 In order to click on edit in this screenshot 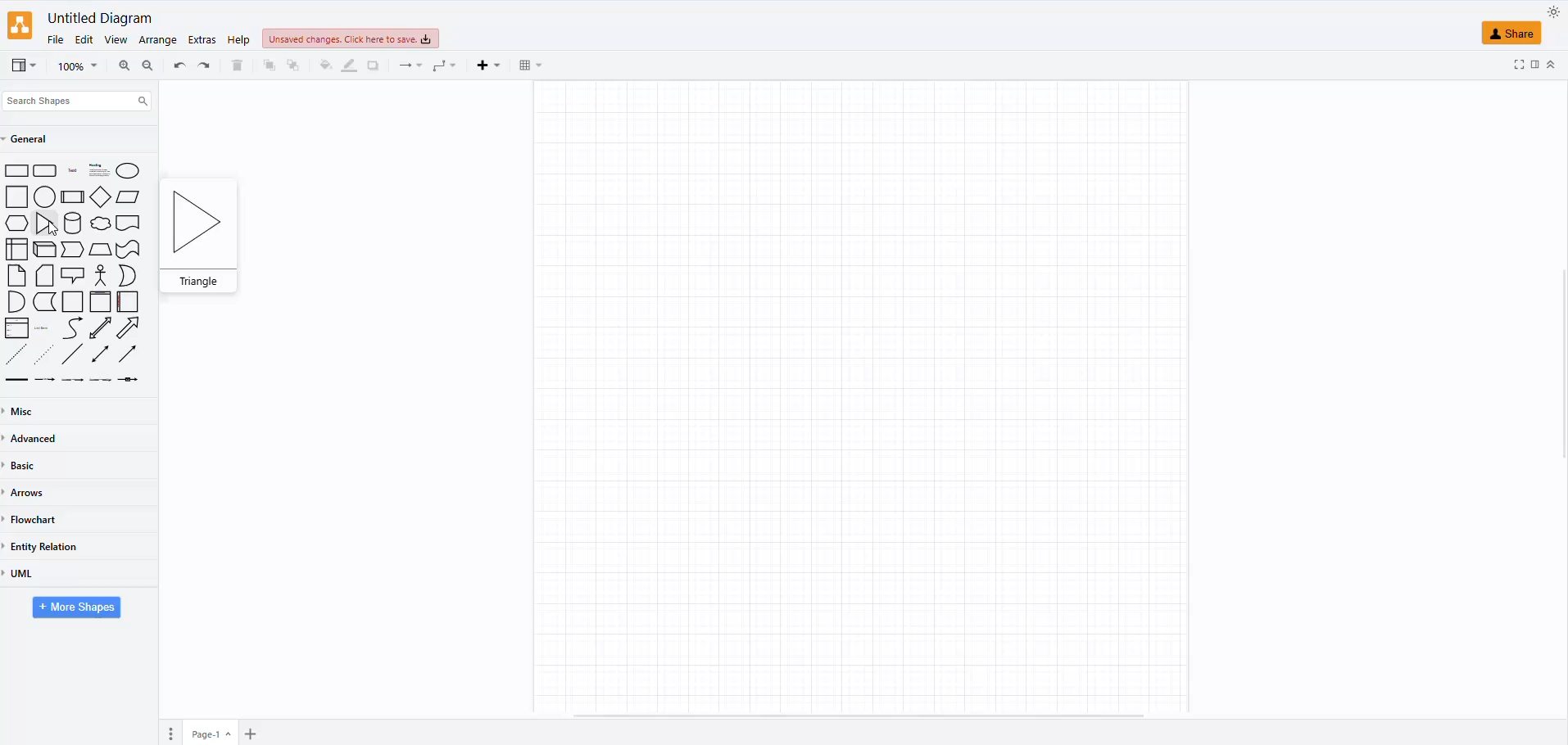, I will do `click(84, 38)`.